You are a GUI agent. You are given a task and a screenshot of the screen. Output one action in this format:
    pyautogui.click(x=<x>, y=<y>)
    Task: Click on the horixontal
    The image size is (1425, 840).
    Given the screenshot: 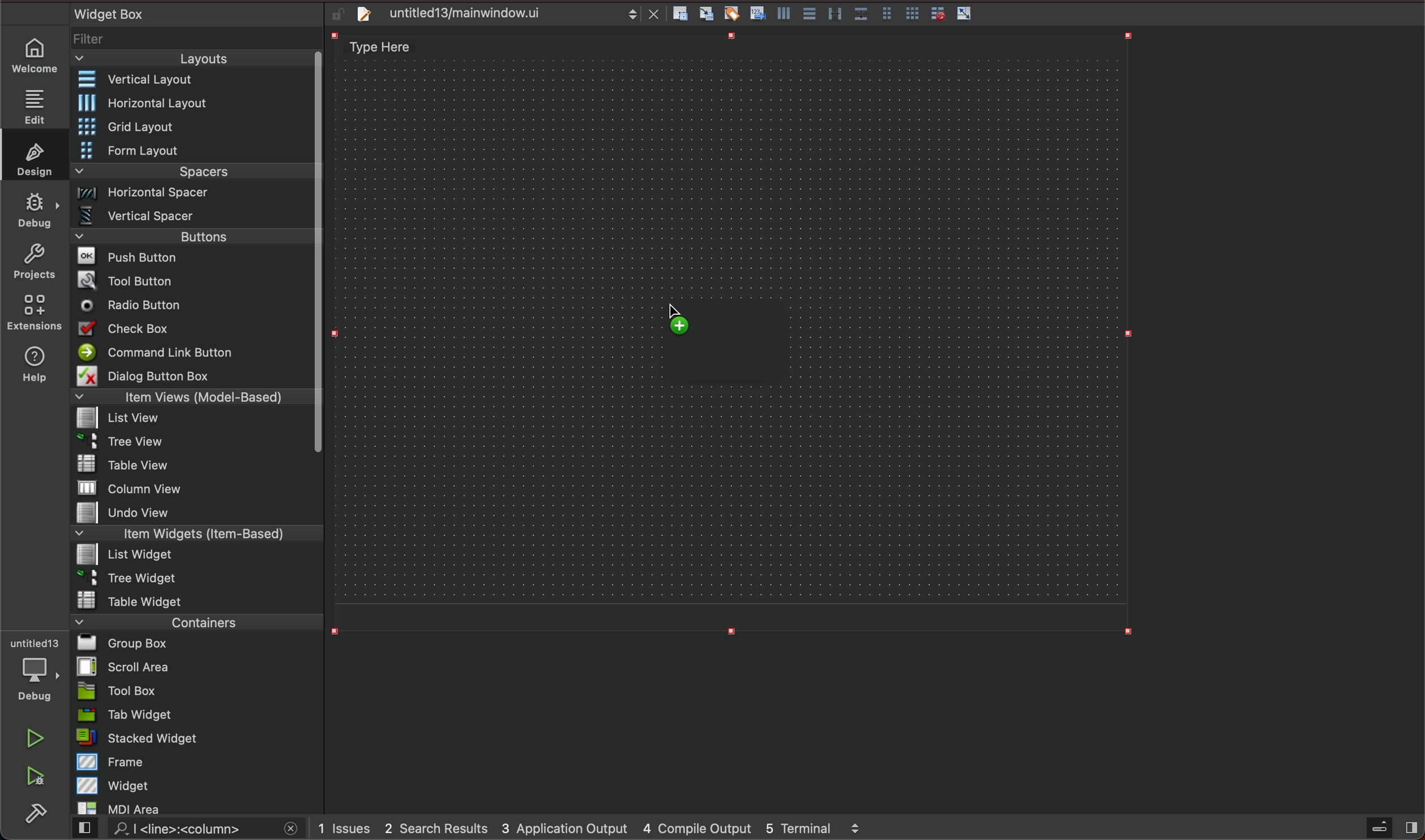 What is the action you would take?
    pyautogui.click(x=786, y=13)
    